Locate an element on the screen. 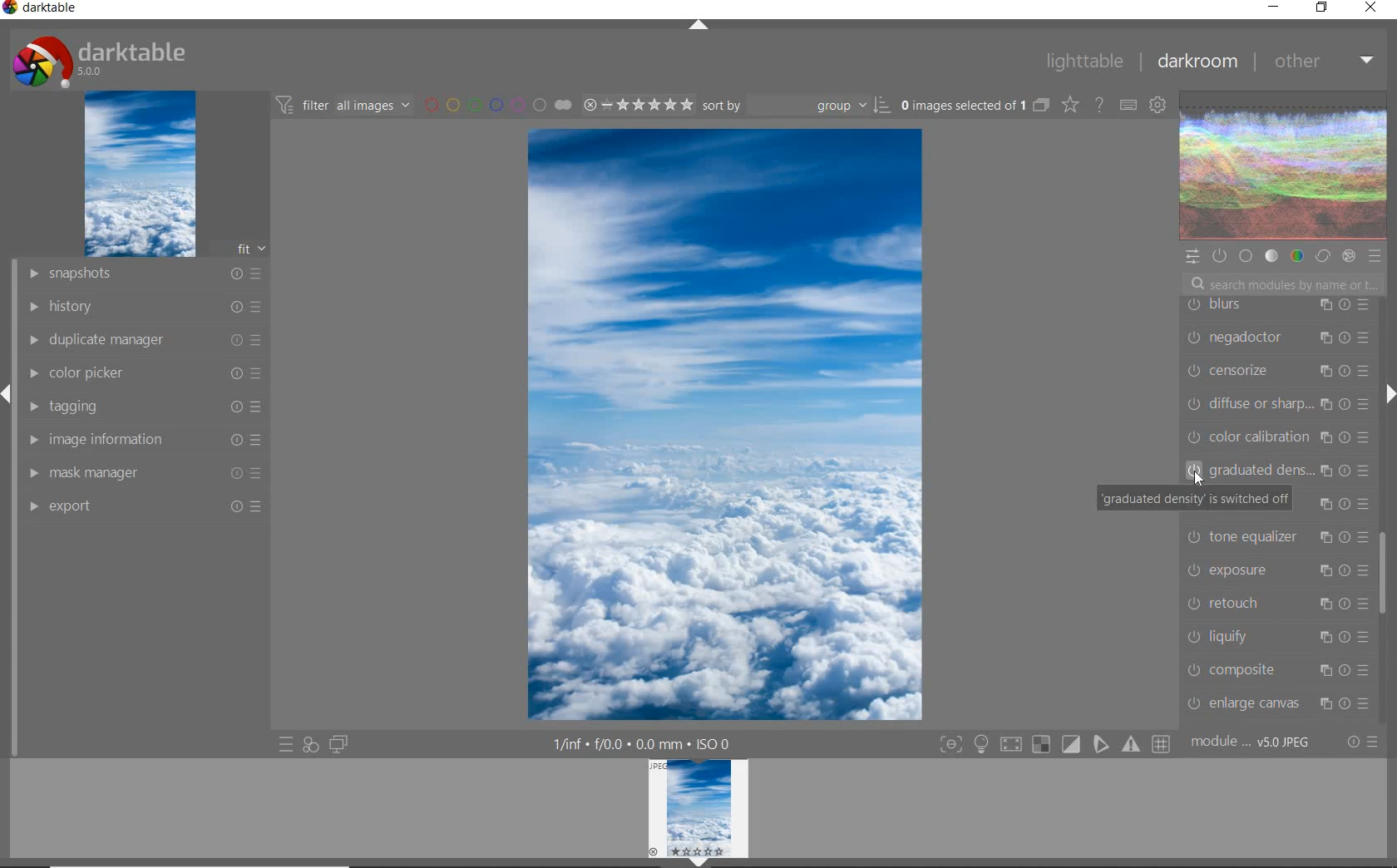 The image size is (1397, 868). TONE is located at coordinates (1271, 258).